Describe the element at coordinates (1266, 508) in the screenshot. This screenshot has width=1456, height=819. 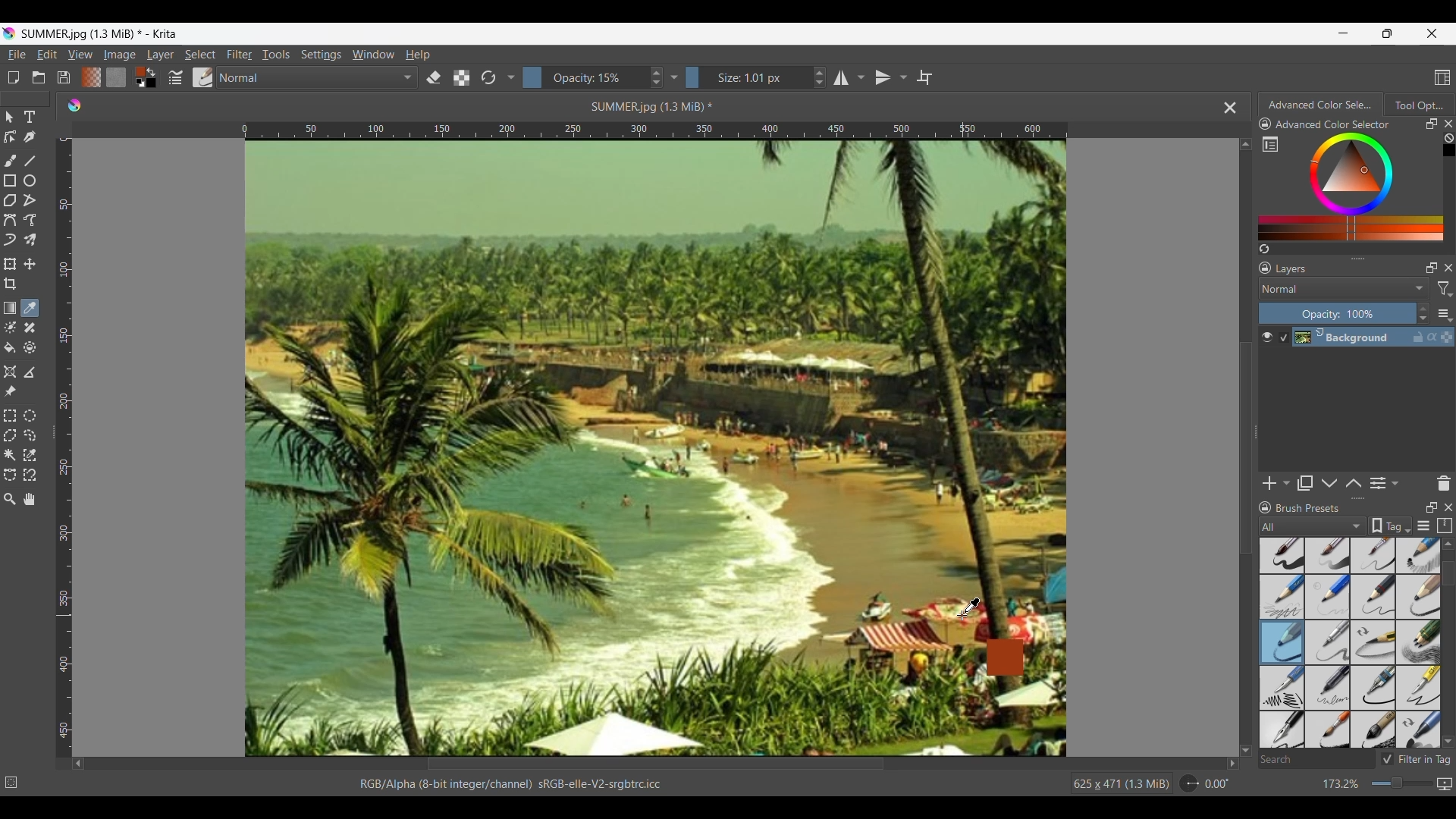
I see `Lock` at that location.